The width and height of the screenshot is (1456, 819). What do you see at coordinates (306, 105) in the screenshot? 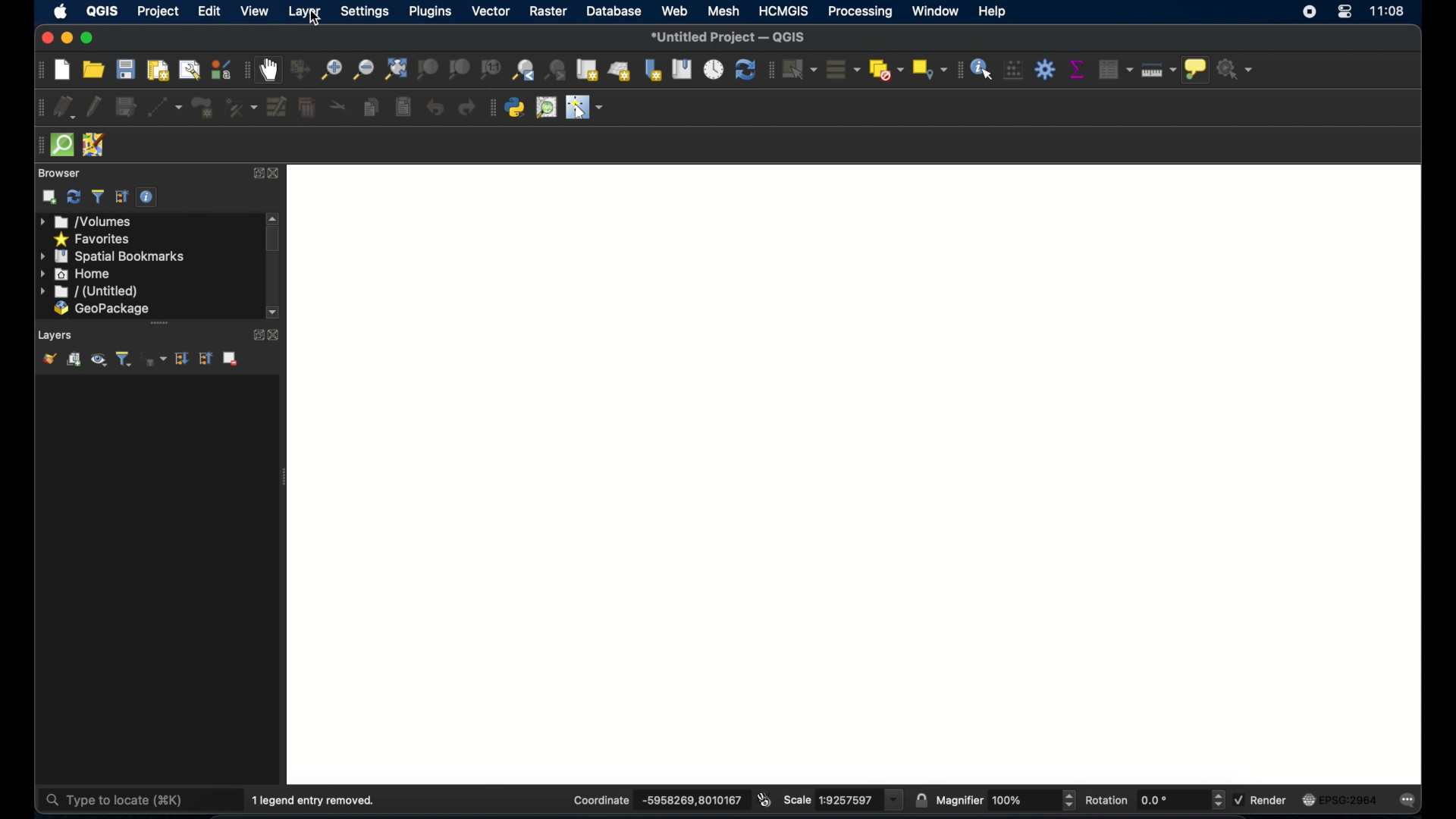
I see `delete selected` at bounding box center [306, 105].